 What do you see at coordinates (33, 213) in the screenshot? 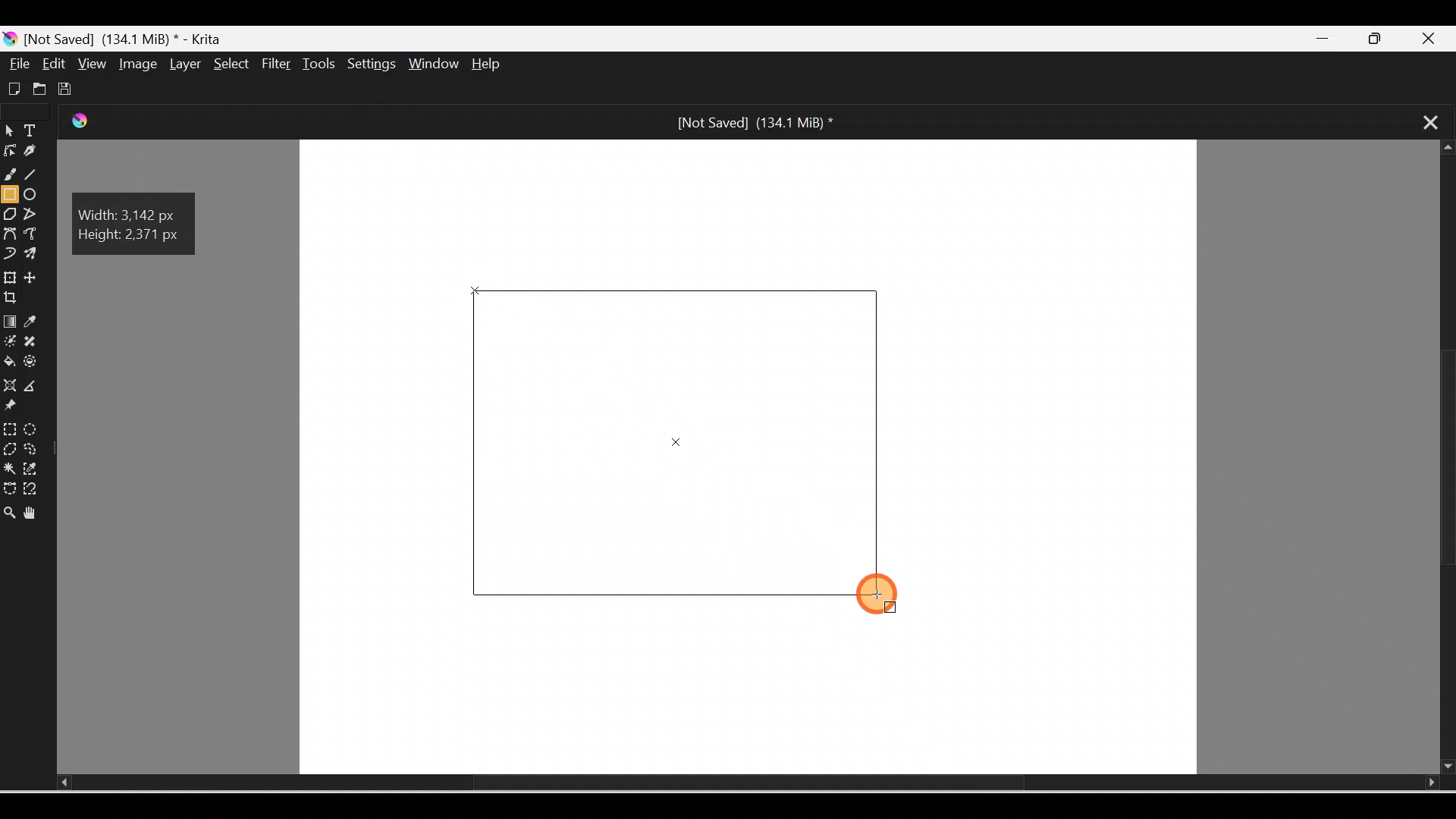
I see `Polyline` at bounding box center [33, 213].